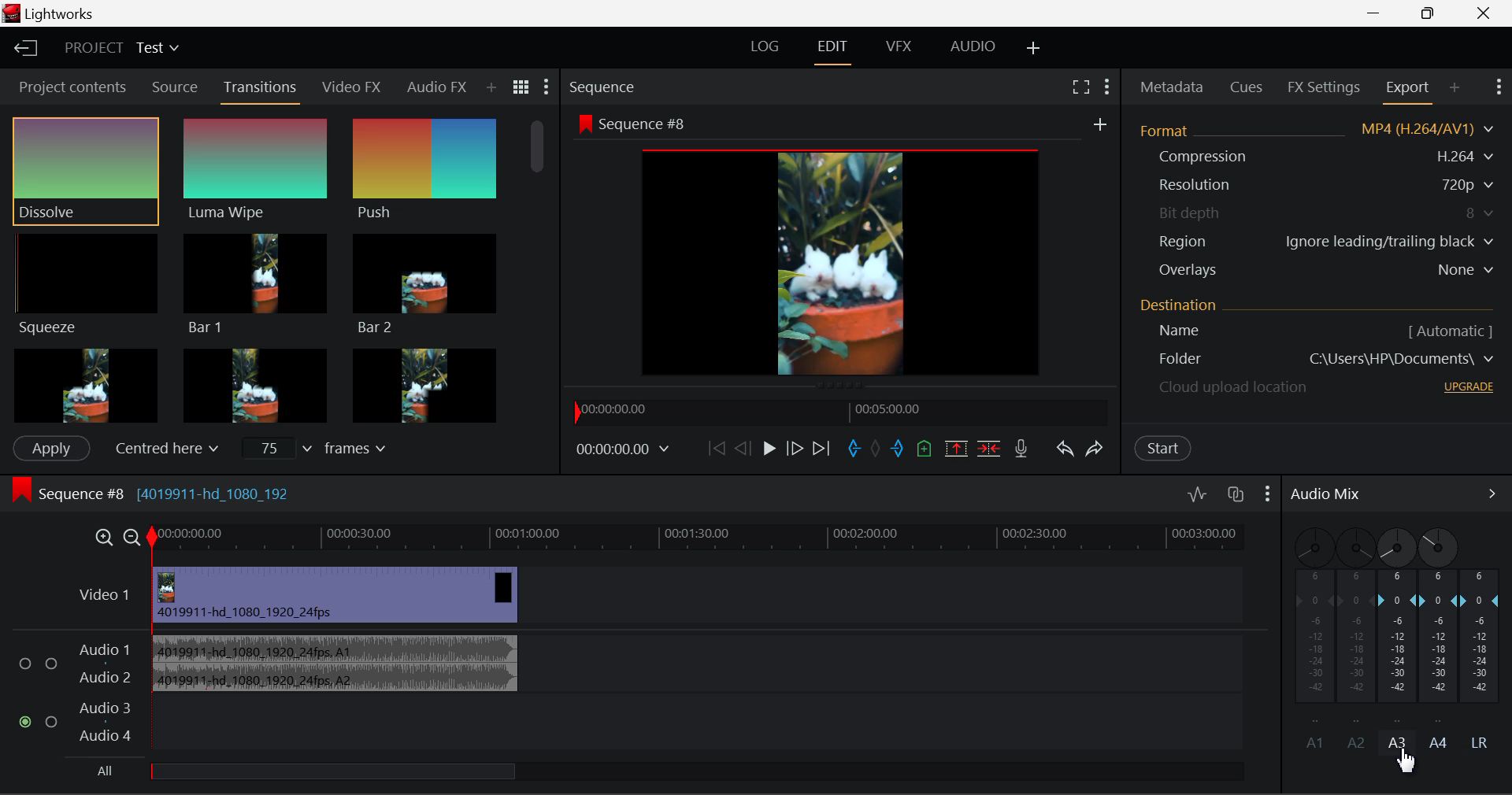 This screenshot has width=1512, height=795. I want to click on Remove marked section, so click(955, 448).